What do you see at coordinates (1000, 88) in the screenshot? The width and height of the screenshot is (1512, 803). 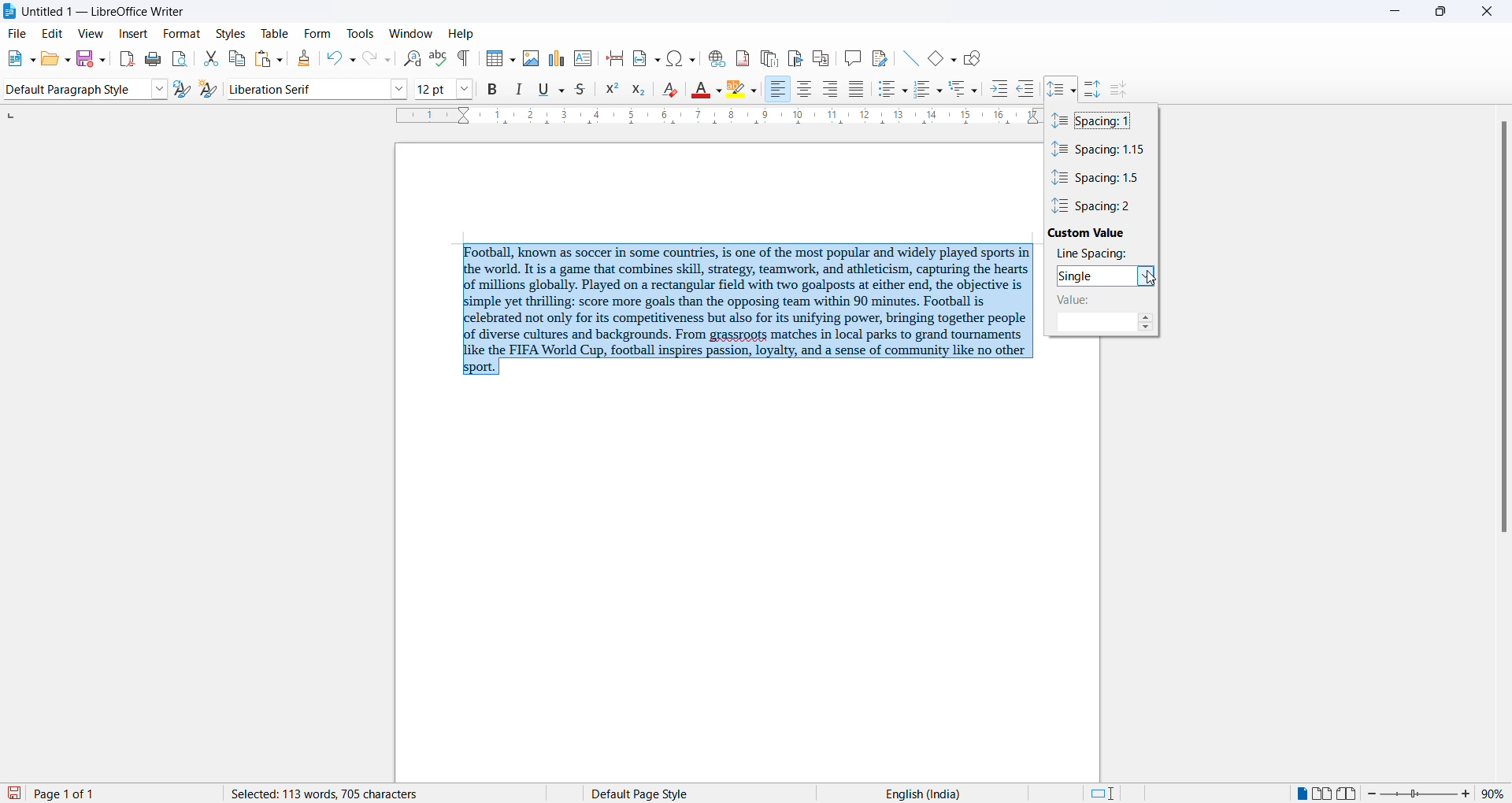 I see `increase indent` at bounding box center [1000, 88].